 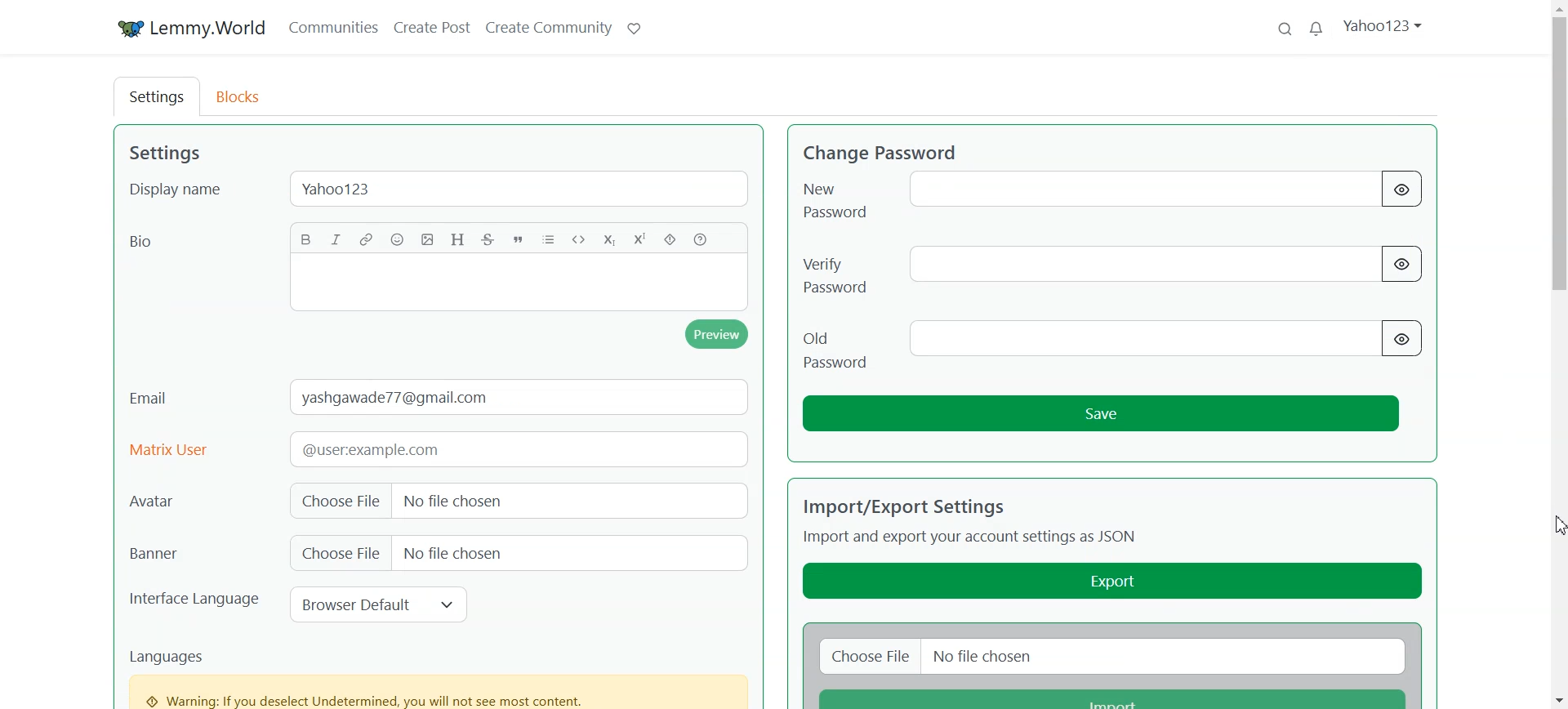 I want to click on Cursor, so click(x=1558, y=524).